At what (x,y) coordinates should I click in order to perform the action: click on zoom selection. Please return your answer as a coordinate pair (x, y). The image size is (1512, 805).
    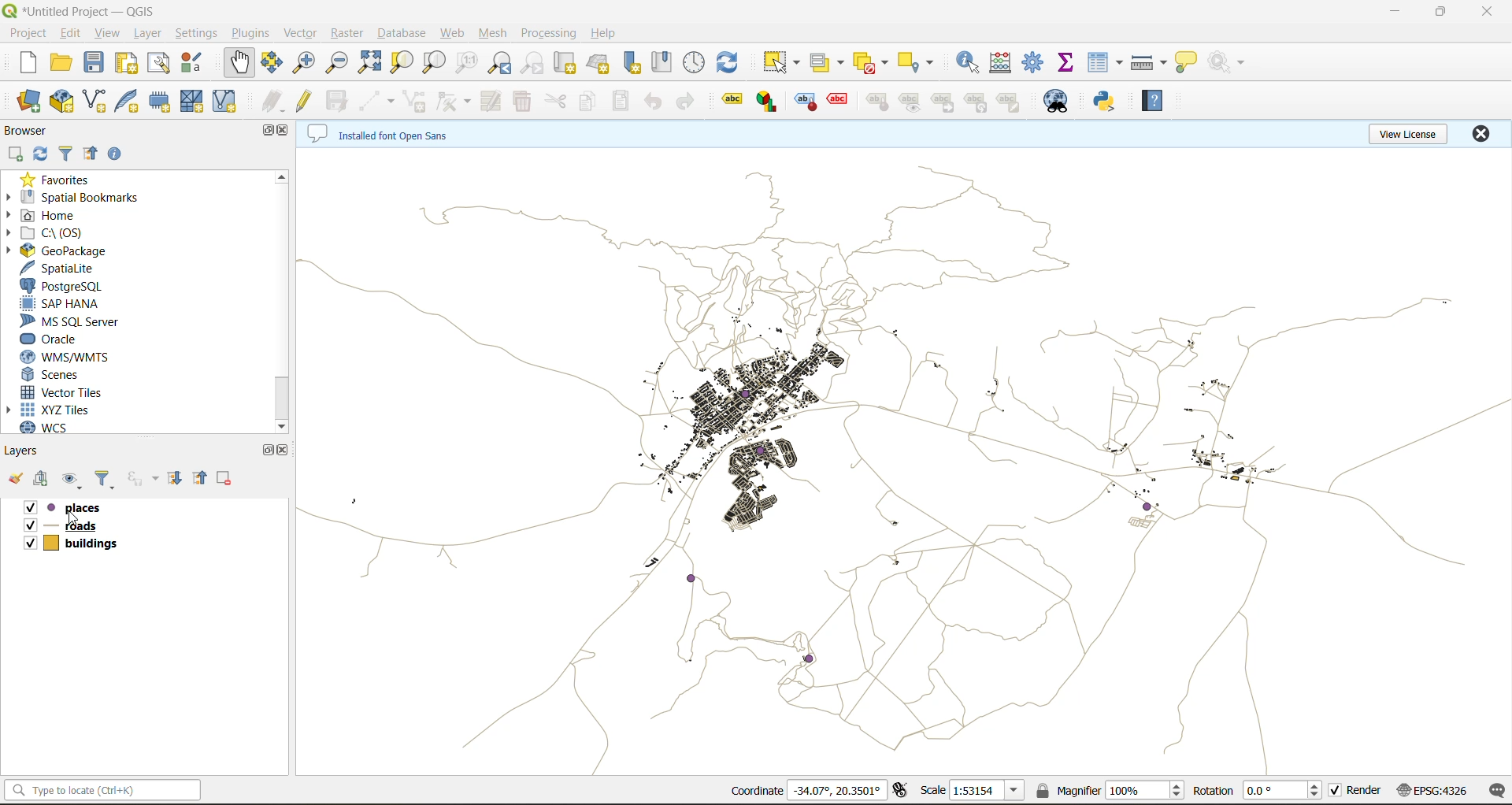
    Looking at the image, I should click on (402, 63).